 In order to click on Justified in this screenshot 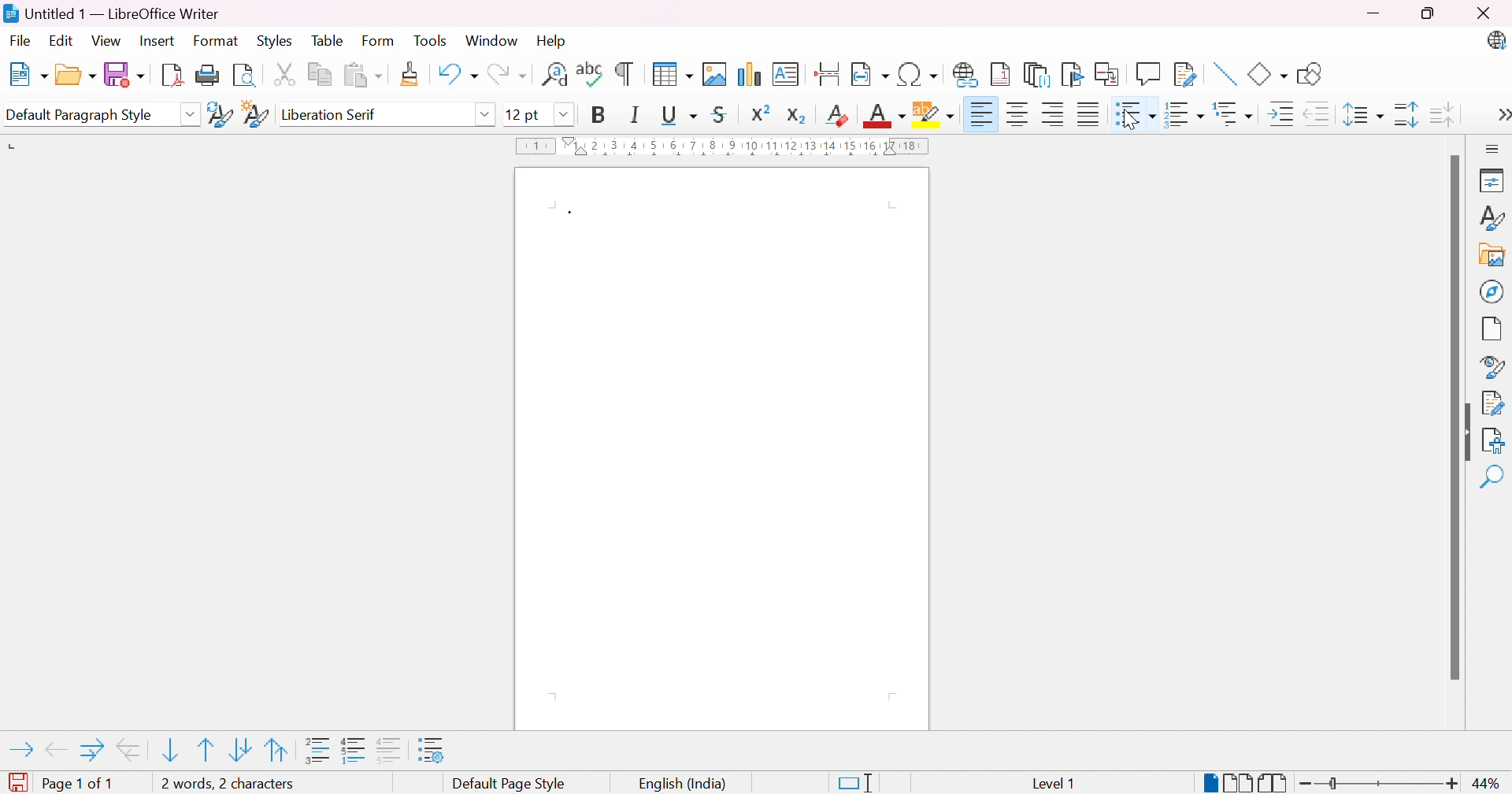, I will do `click(1089, 113)`.